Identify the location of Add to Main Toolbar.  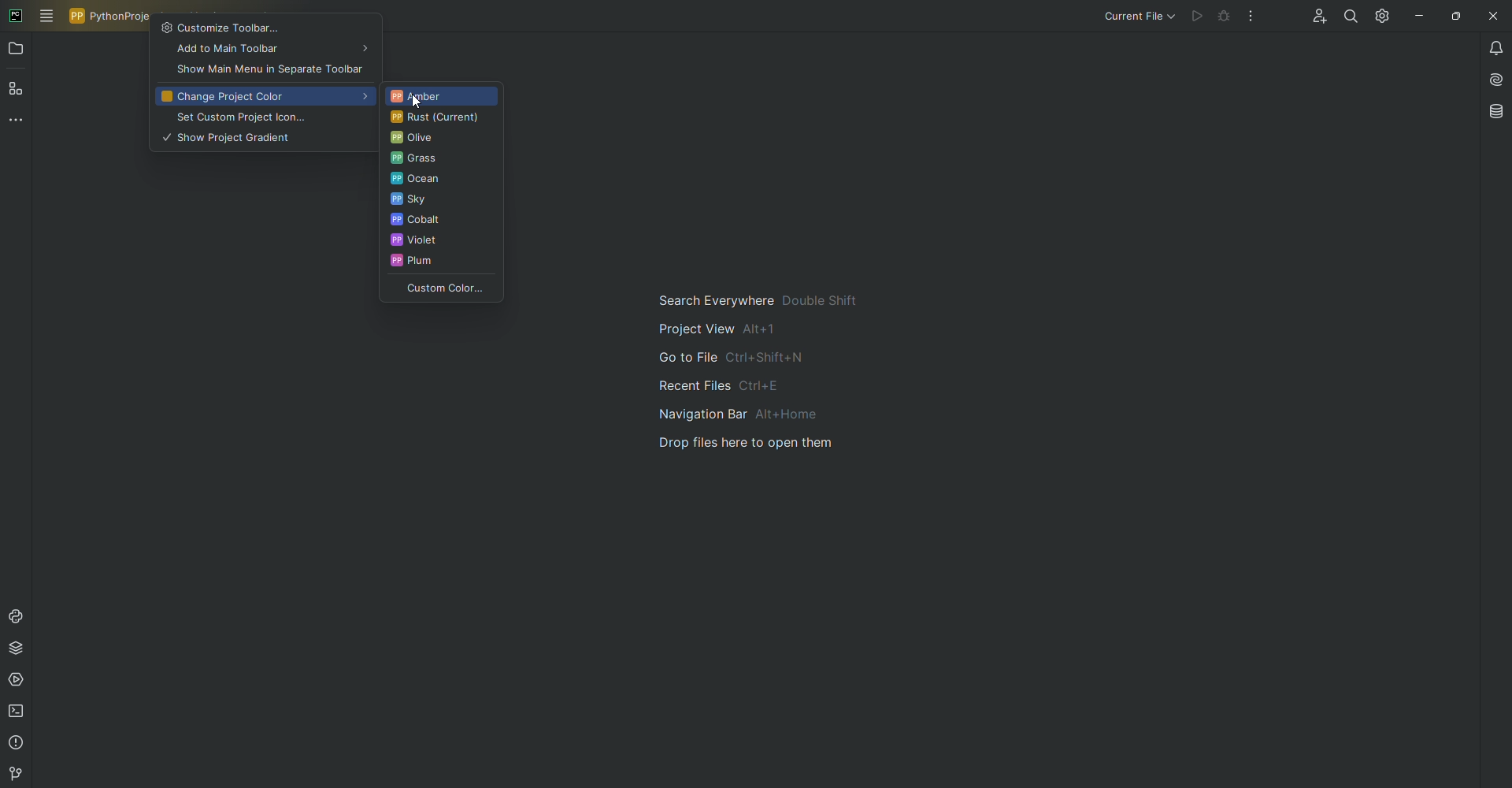
(265, 51).